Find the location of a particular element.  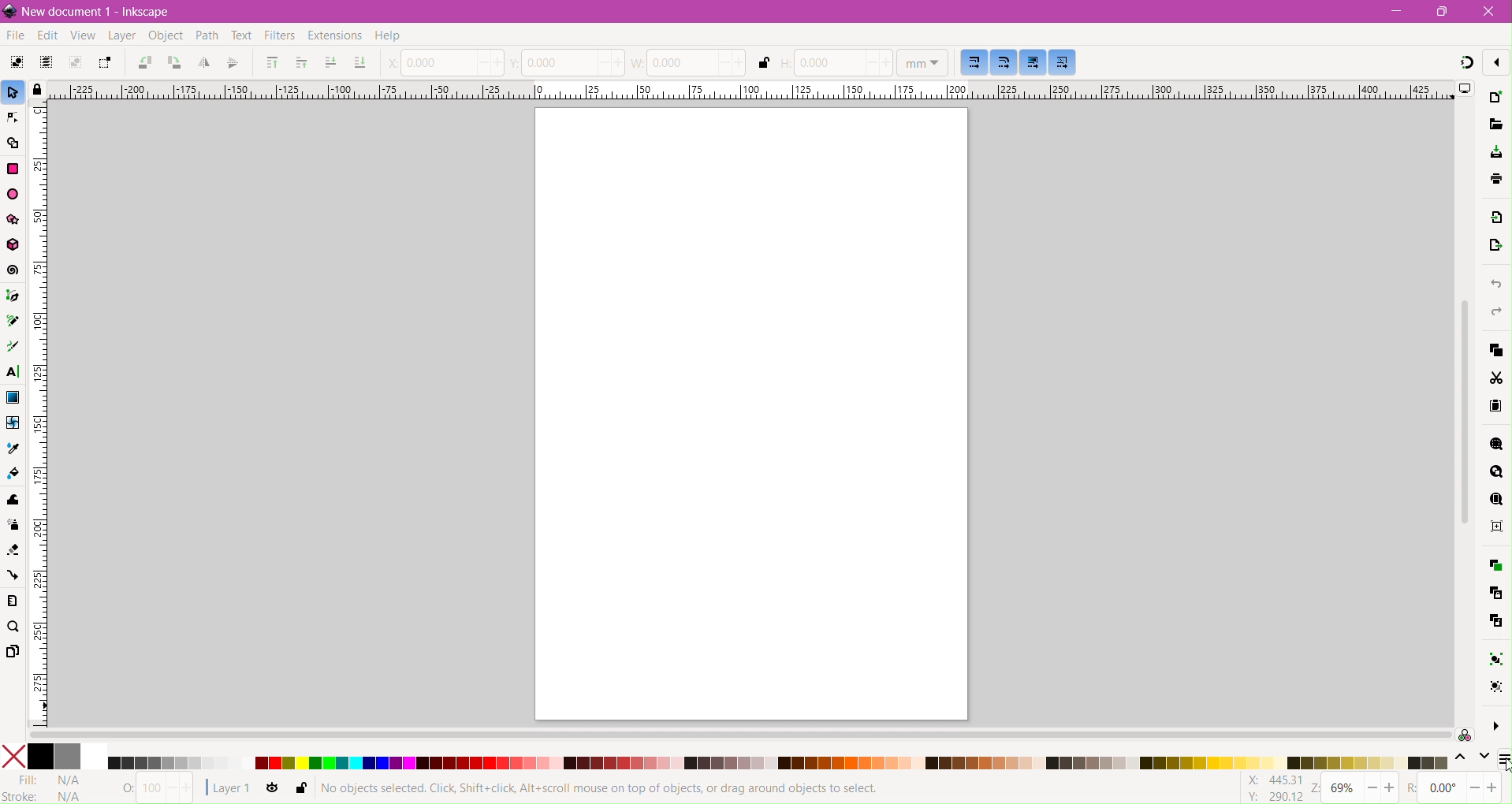

Select All is located at coordinates (17, 64).